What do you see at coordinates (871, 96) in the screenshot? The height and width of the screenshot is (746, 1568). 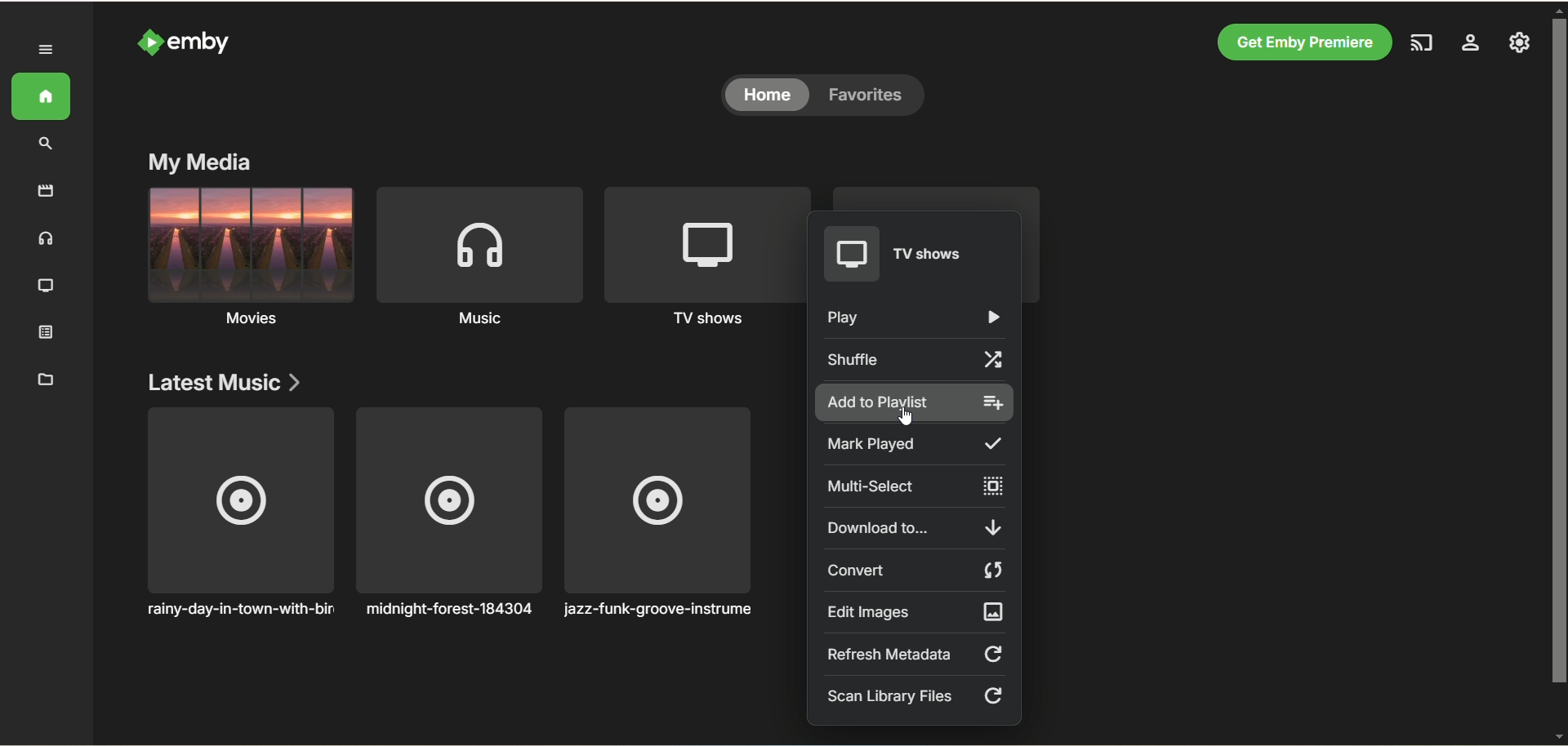 I see `favorites` at bounding box center [871, 96].